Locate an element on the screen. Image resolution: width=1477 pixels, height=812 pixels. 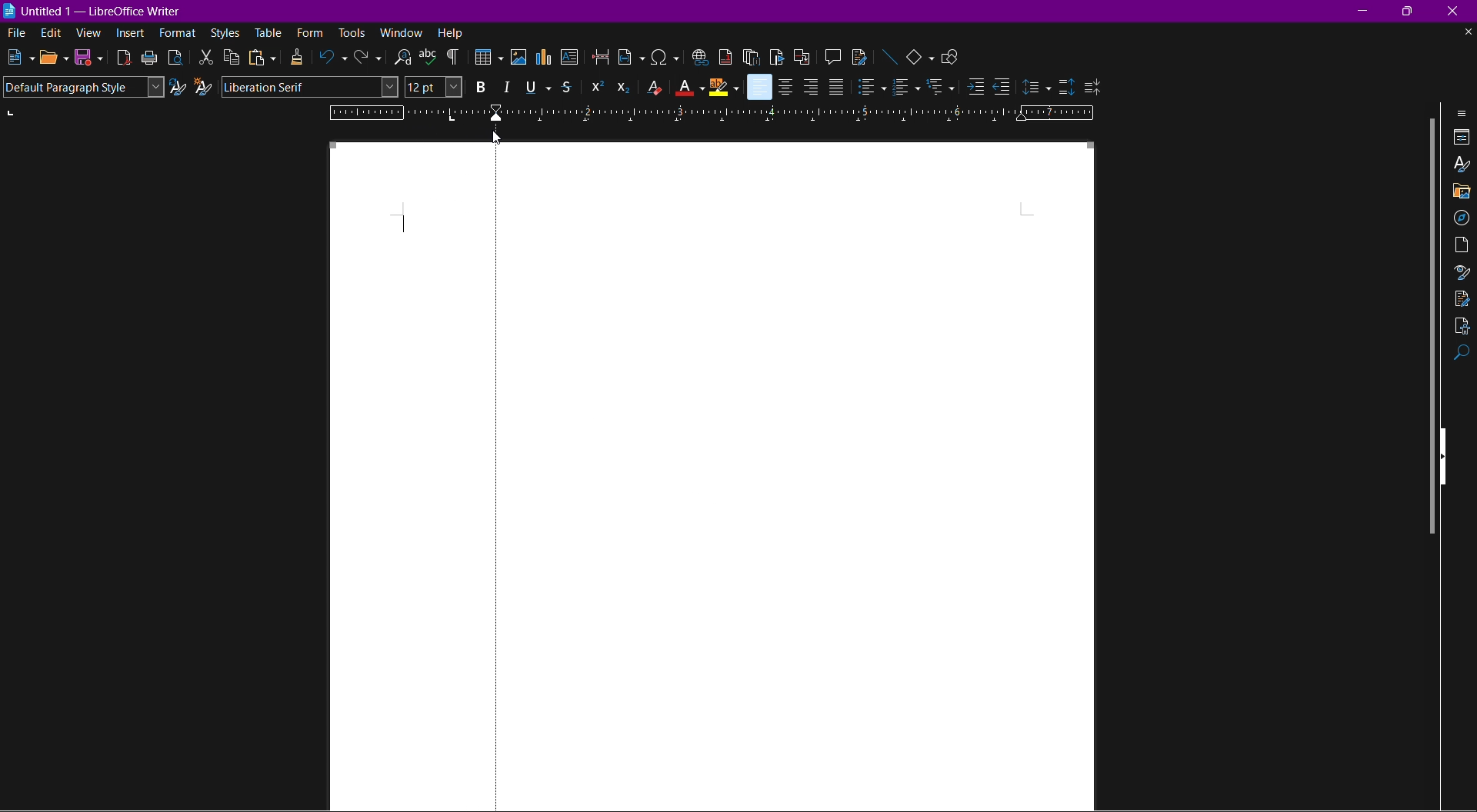
Properties is located at coordinates (1462, 138).